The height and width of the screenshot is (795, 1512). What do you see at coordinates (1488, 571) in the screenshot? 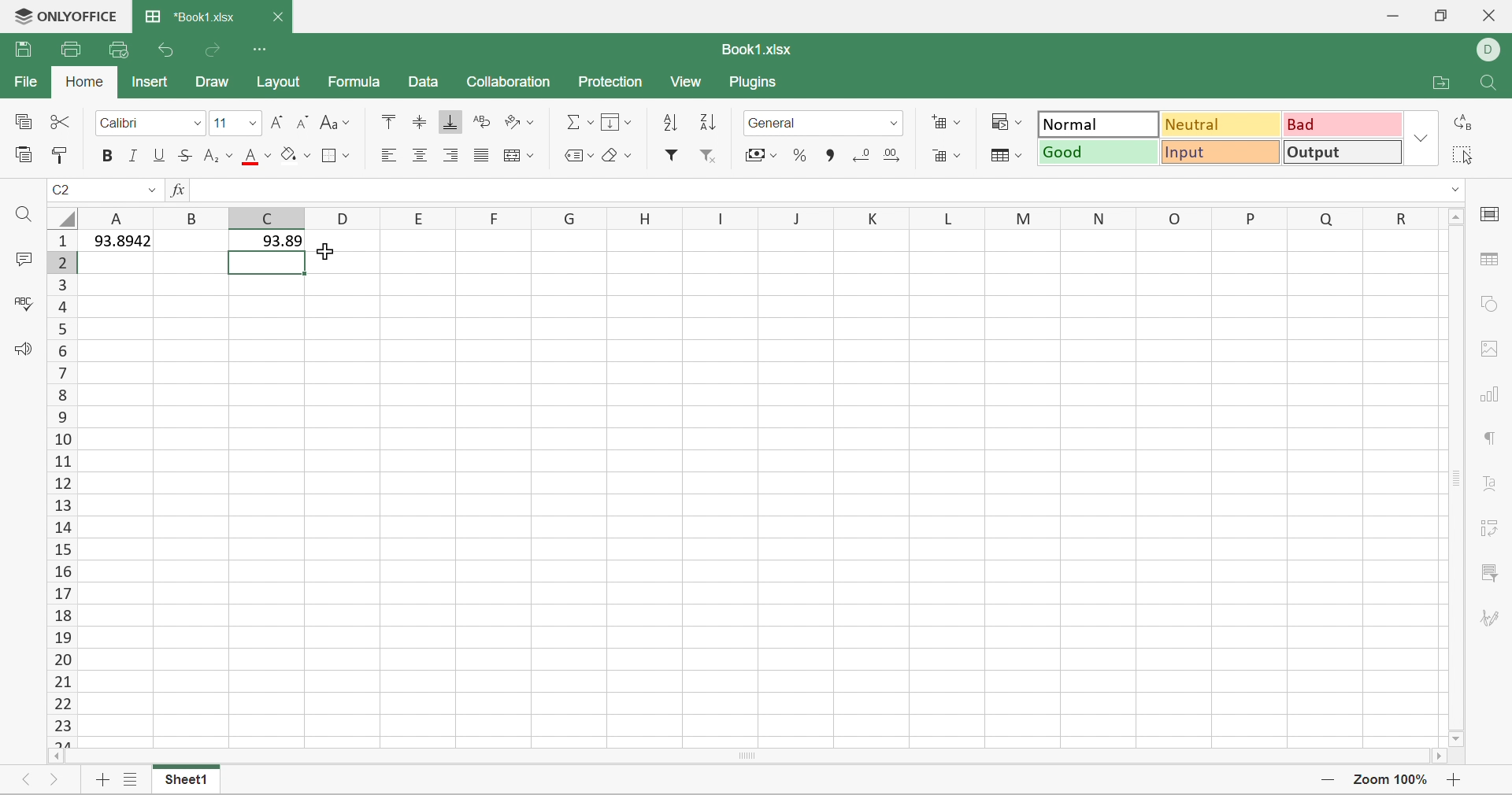
I see `Slicer settings` at bounding box center [1488, 571].